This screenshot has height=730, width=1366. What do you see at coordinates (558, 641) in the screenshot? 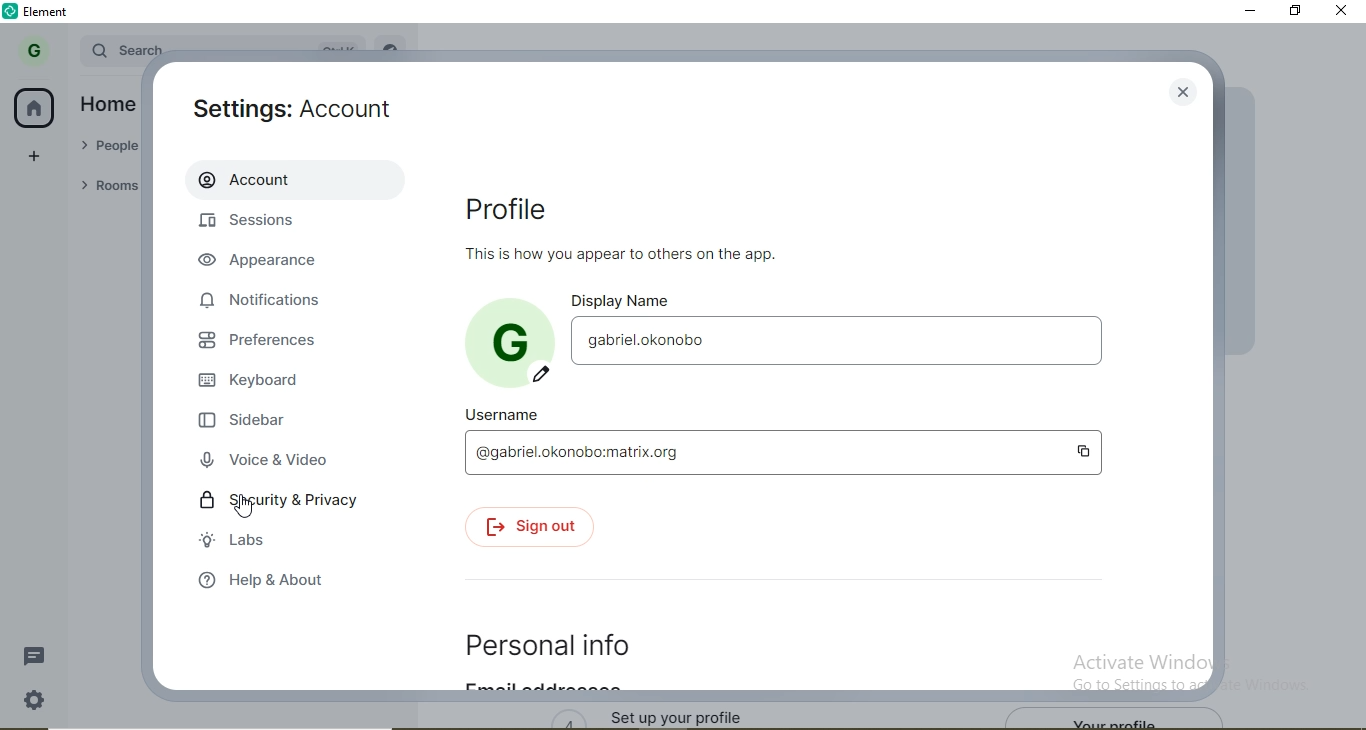
I see `personal info` at bounding box center [558, 641].